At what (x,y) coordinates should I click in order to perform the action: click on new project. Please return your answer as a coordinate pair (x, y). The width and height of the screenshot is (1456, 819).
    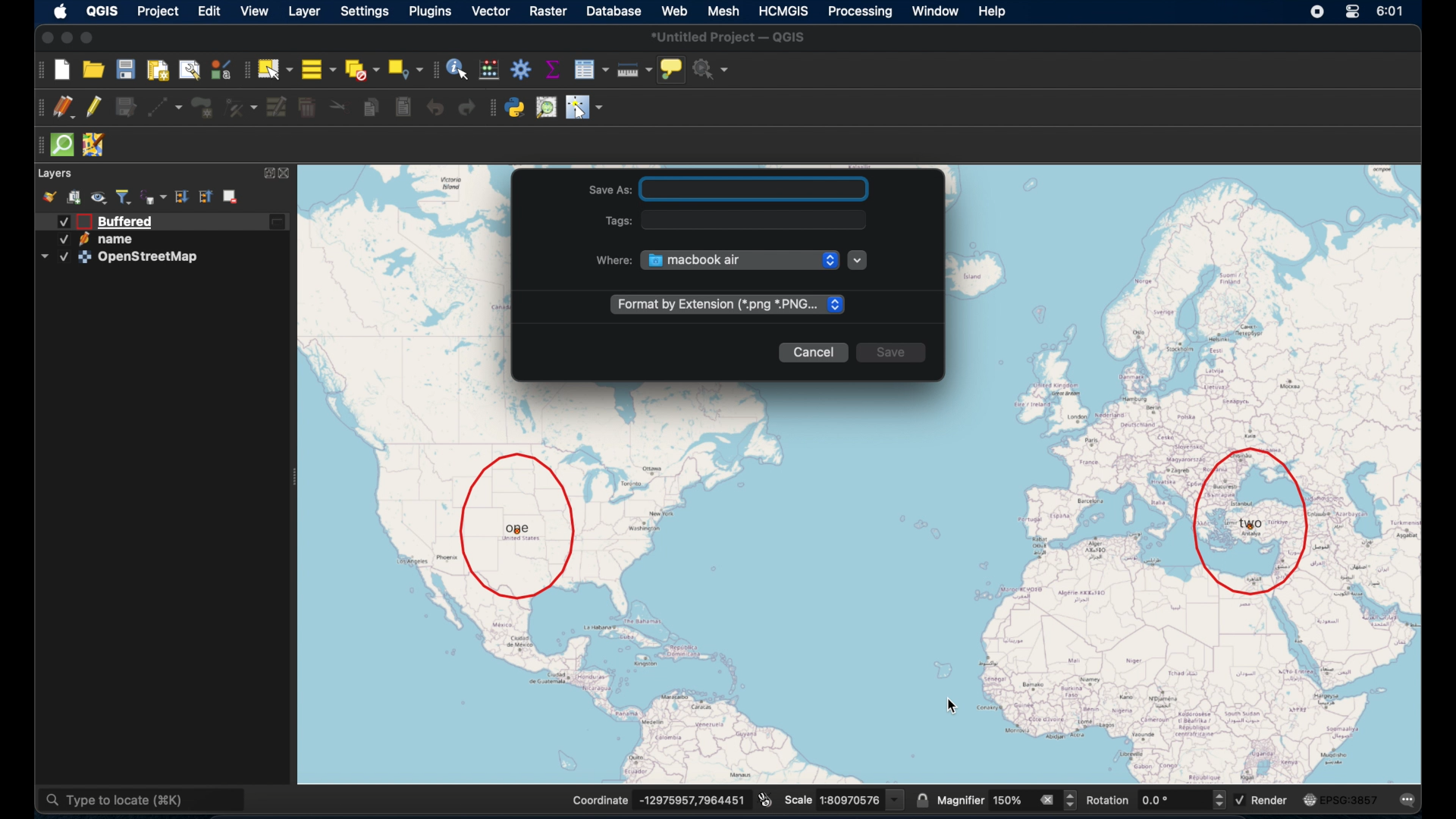
    Looking at the image, I should click on (64, 69).